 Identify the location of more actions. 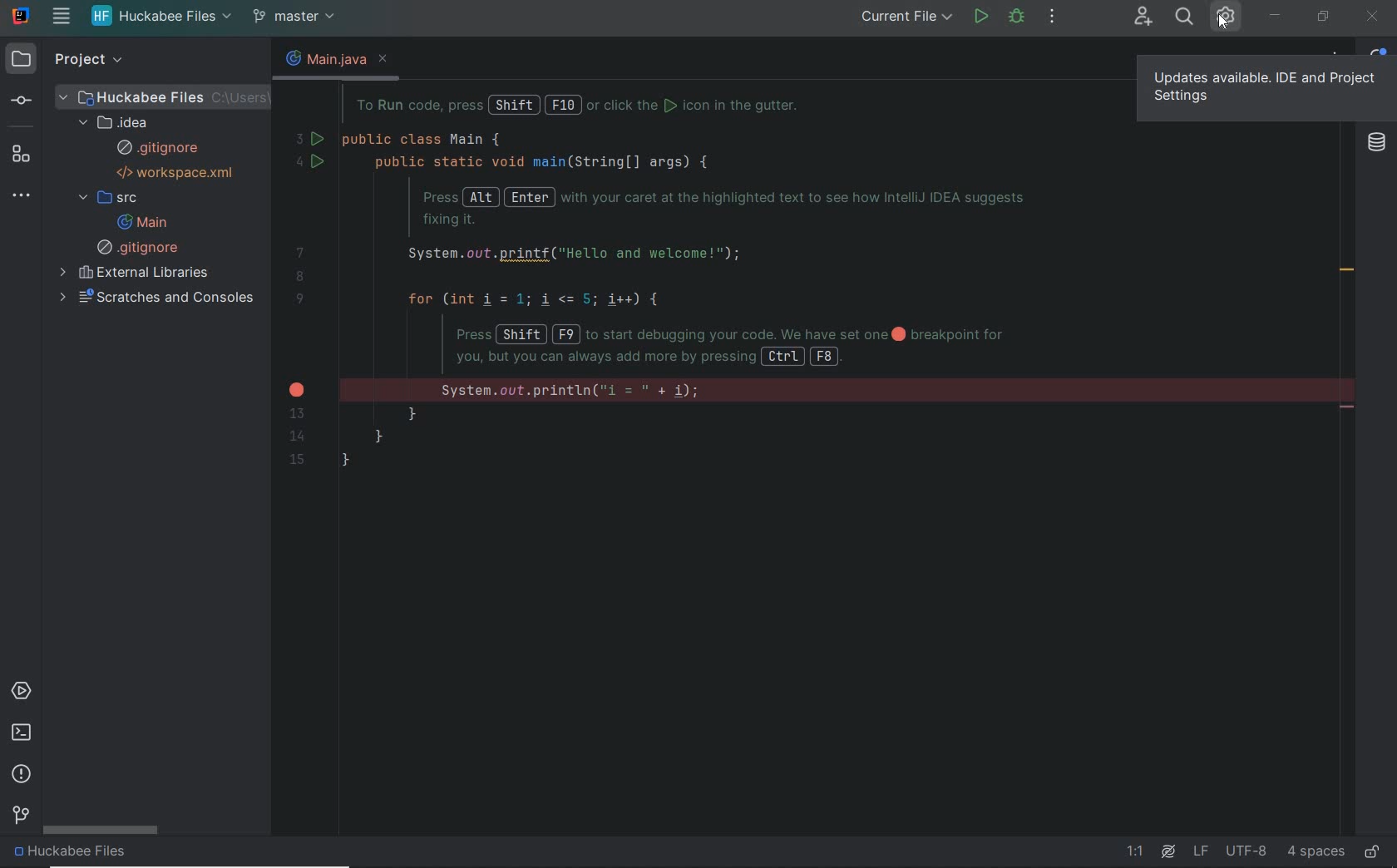
(1051, 17).